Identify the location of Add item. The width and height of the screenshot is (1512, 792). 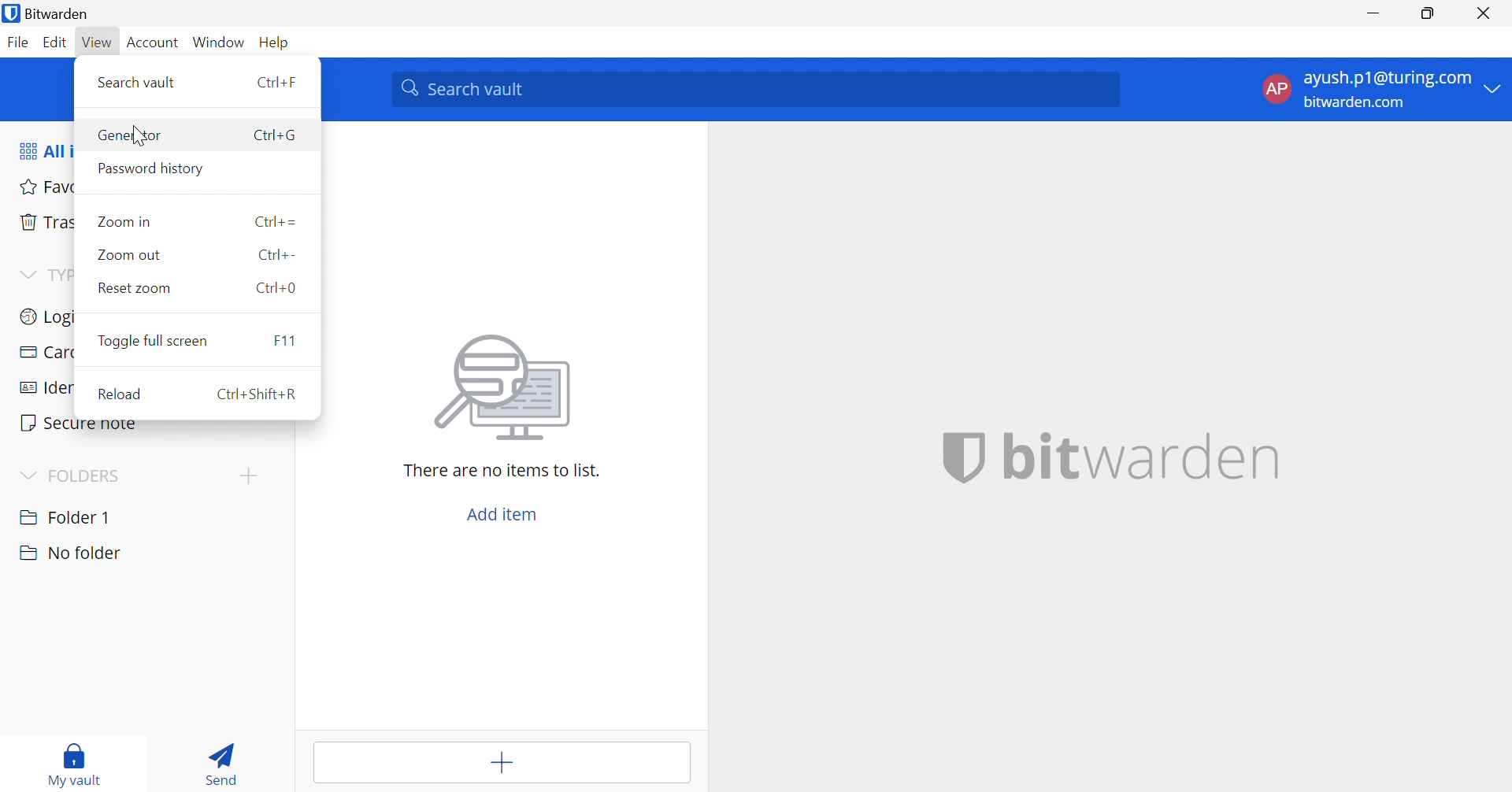
(504, 514).